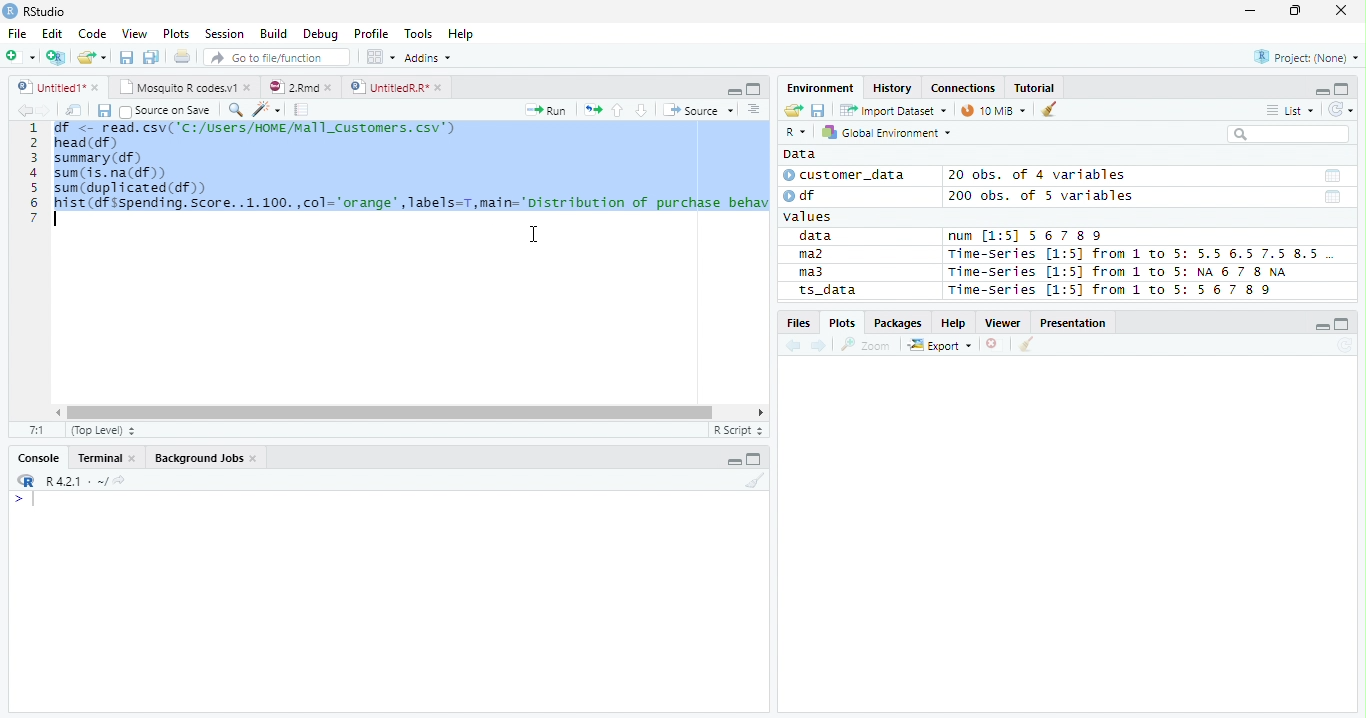  I want to click on data, so click(819, 237).